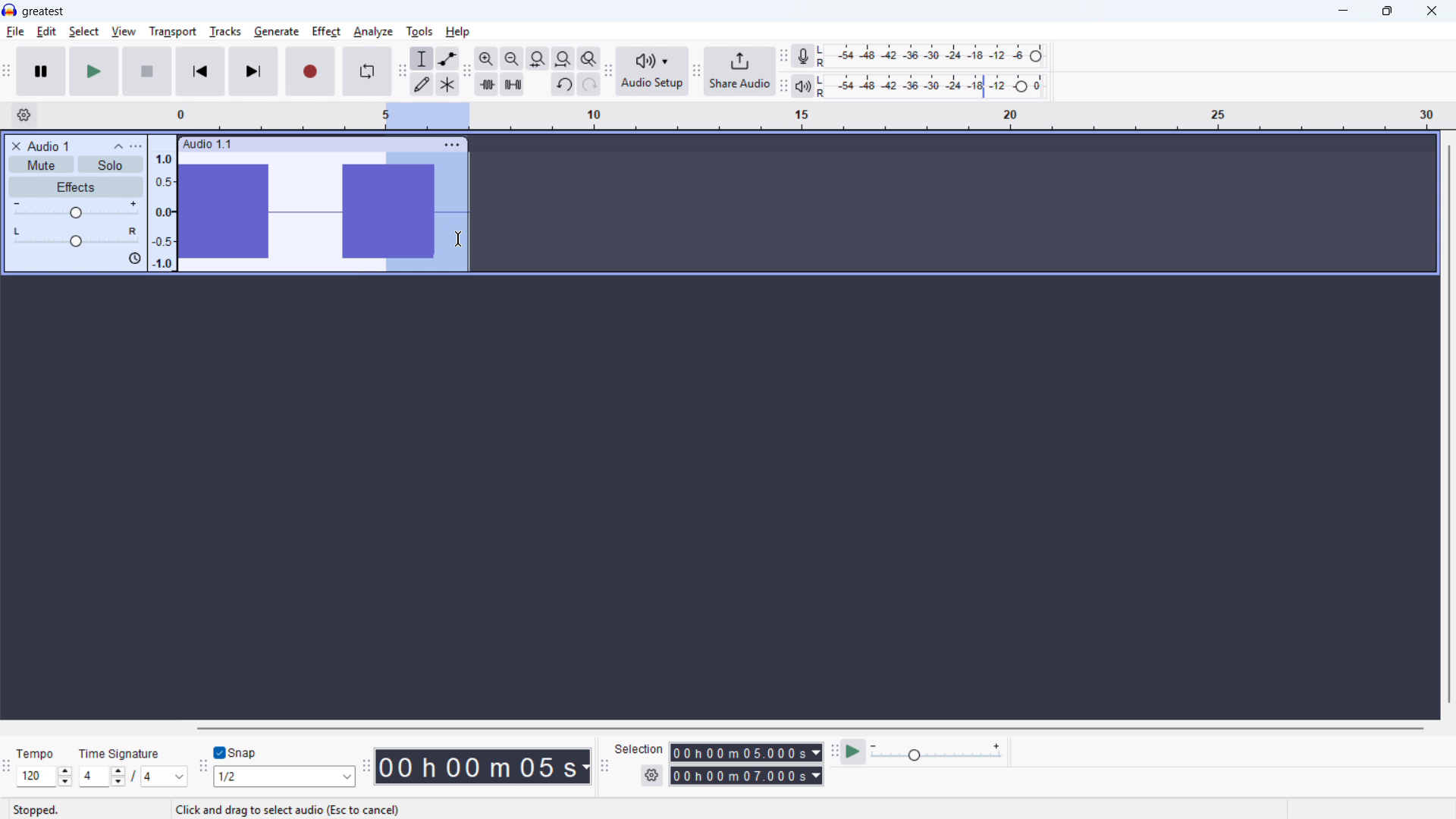 The height and width of the screenshot is (819, 1456). I want to click on Horizontal scroll bar , so click(809, 729).